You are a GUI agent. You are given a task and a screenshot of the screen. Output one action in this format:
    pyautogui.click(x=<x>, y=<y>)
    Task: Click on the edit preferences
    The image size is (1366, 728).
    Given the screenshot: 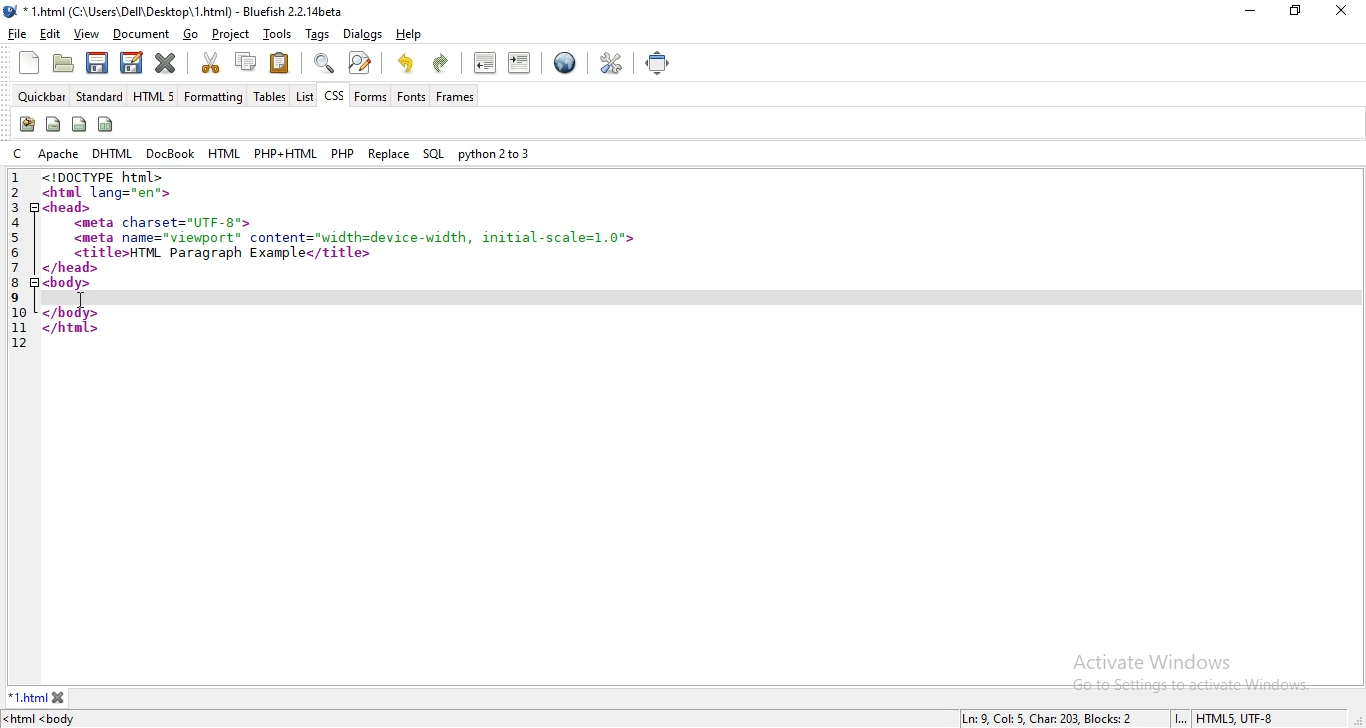 What is the action you would take?
    pyautogui.click(x=608, y=63)
    